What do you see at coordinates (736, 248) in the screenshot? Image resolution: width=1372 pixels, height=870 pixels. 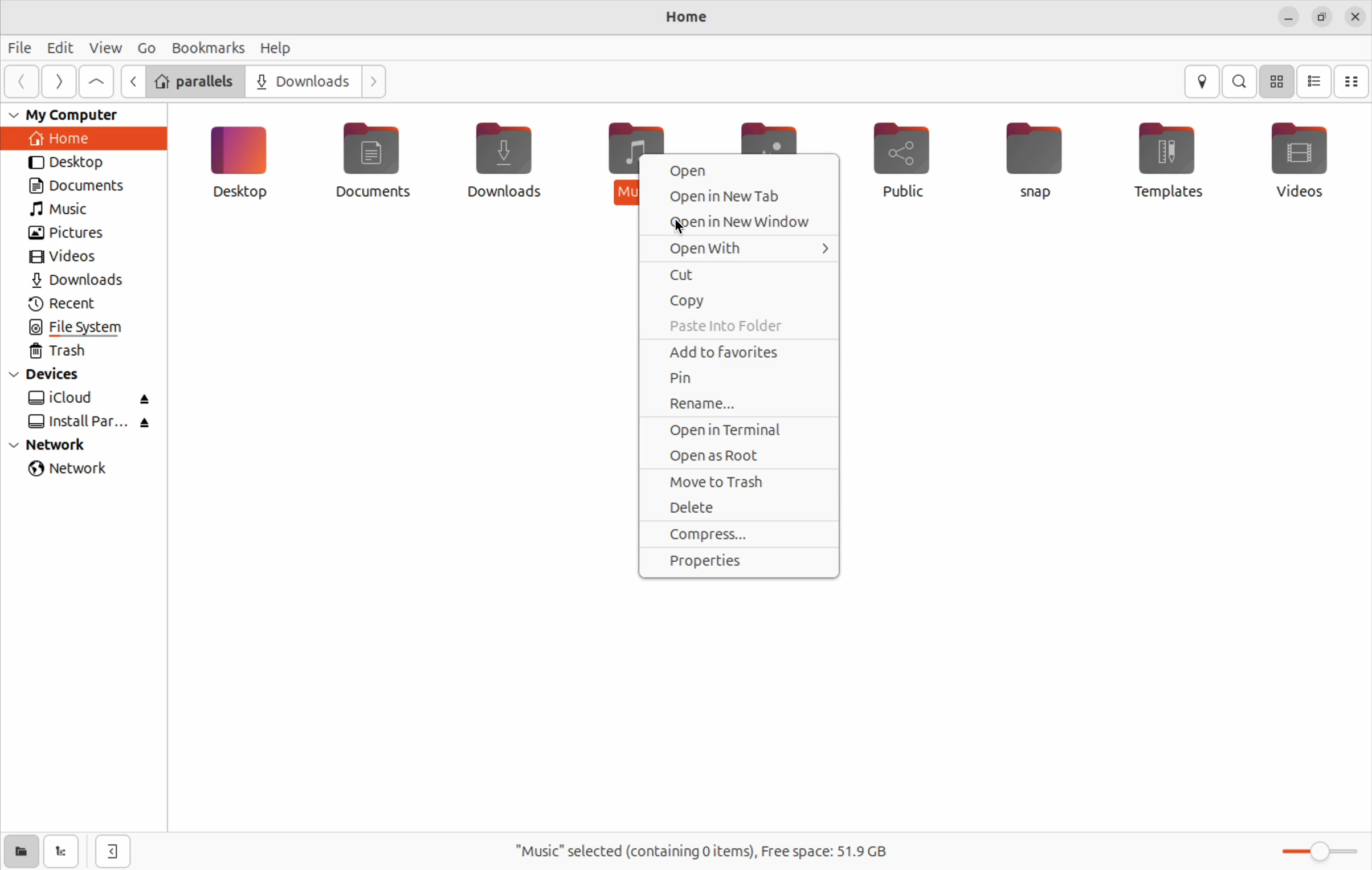 I see `open with` at bounding box center [736, 248].